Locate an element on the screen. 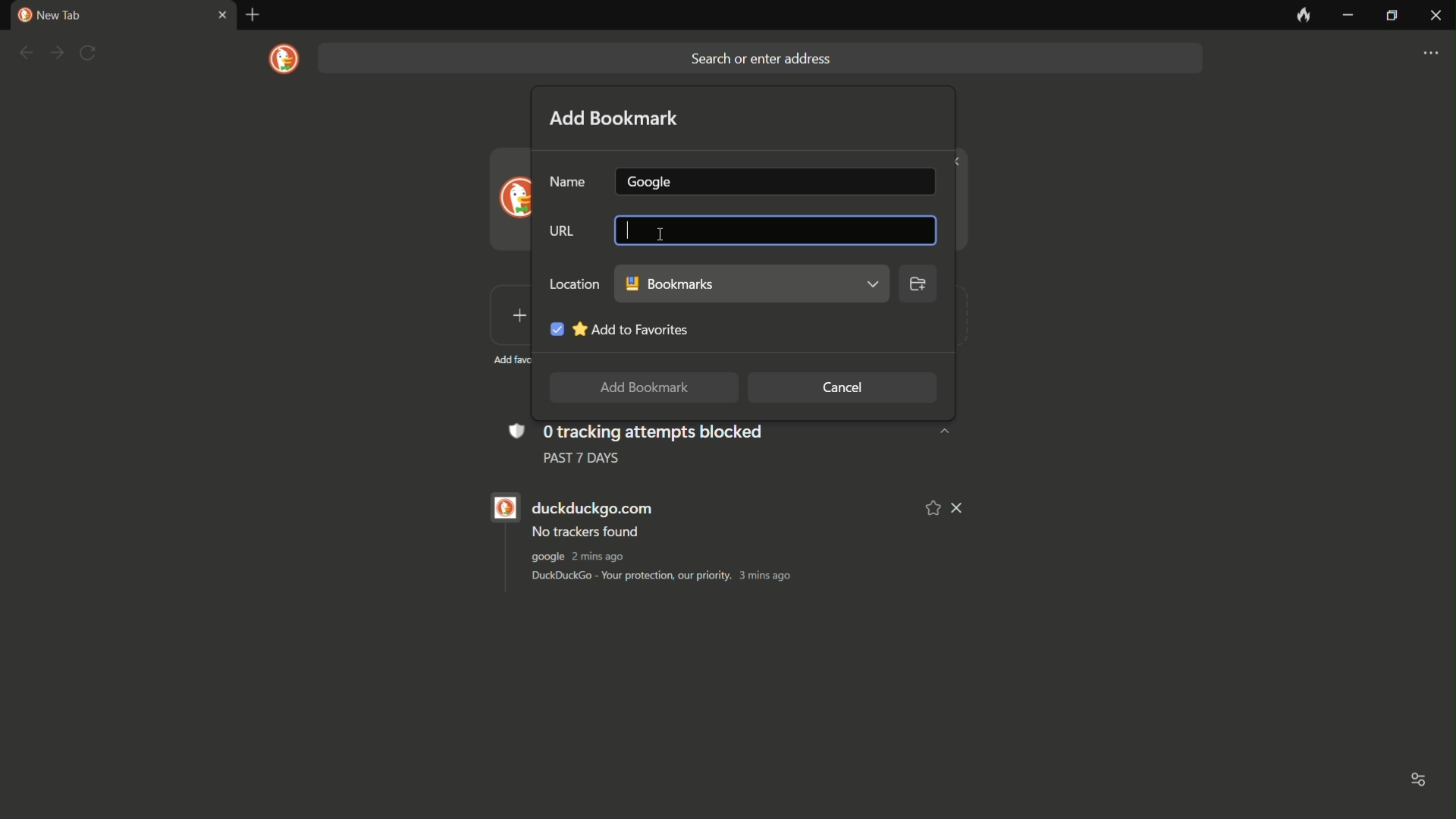 Image resolution: width=1456 pixels, height=819 pixels. remove from list is located at coordinates (959, 508).